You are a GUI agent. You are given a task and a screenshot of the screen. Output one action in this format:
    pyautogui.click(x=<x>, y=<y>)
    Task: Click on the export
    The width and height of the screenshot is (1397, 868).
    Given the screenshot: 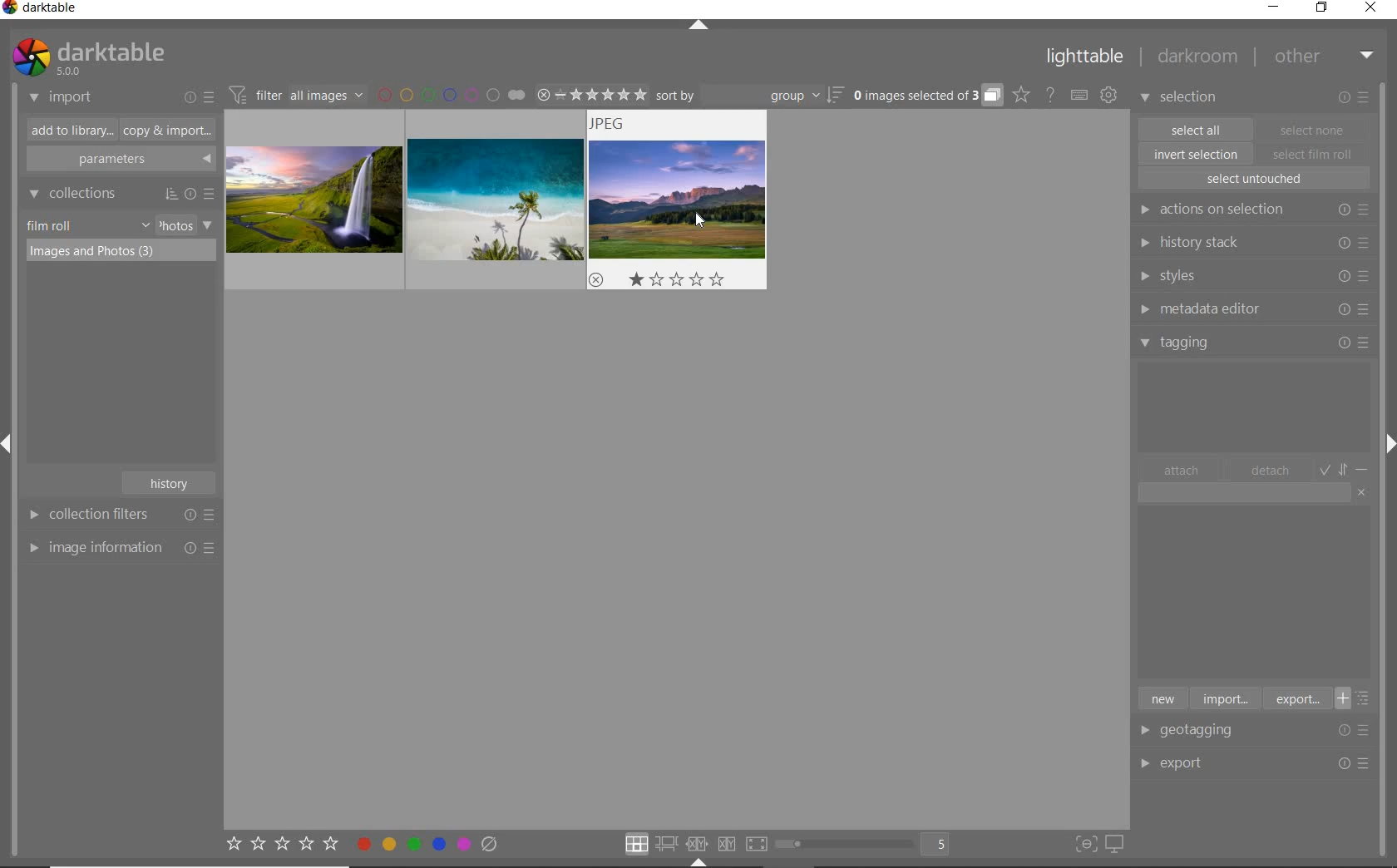 What is the action you would take?
    pyautogui.click(x=1296, y=698)
    